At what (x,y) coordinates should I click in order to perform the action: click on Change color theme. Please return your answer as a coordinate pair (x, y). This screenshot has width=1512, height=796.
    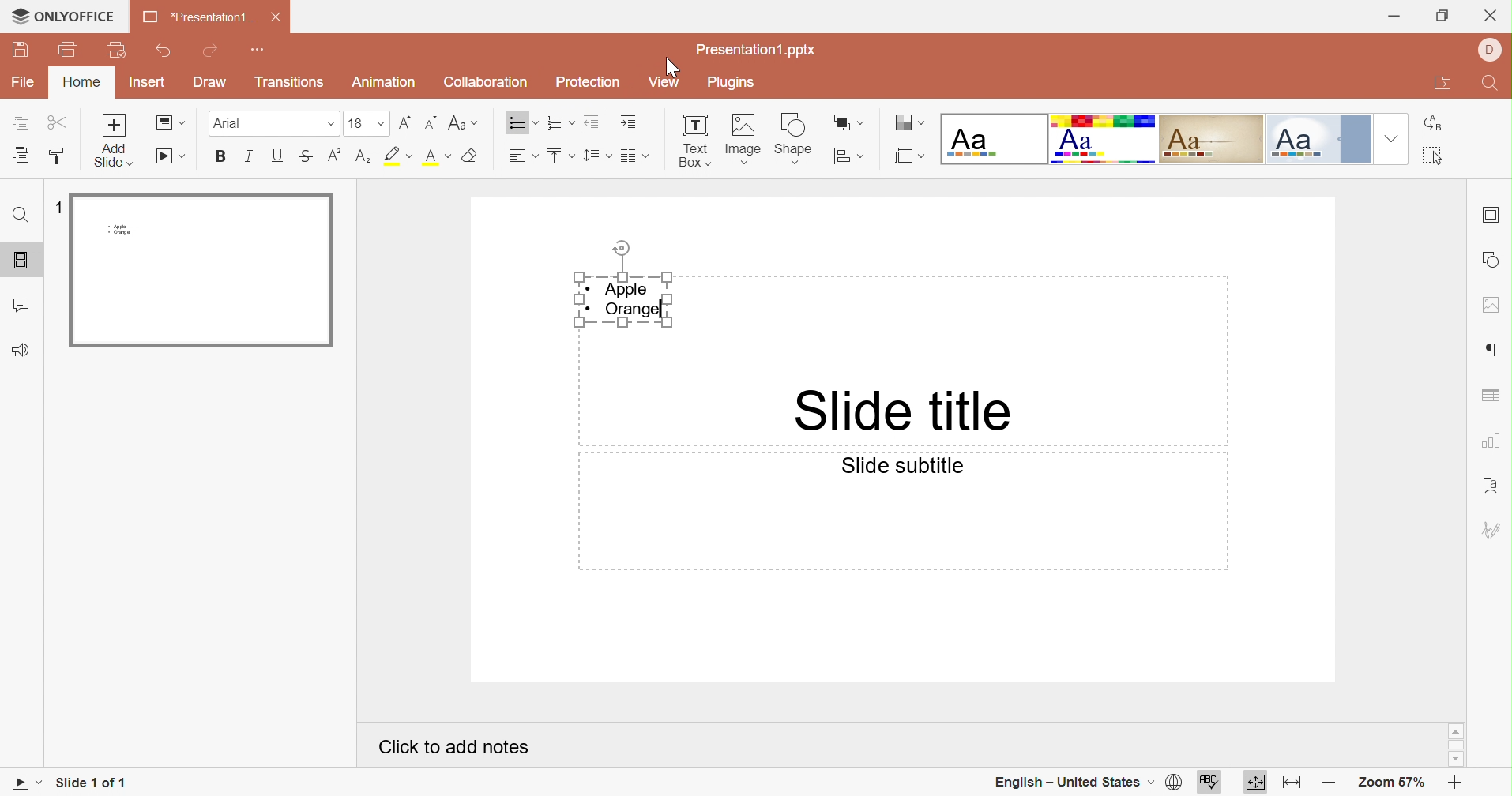
    Looking at the image, I should click on (911, 125).